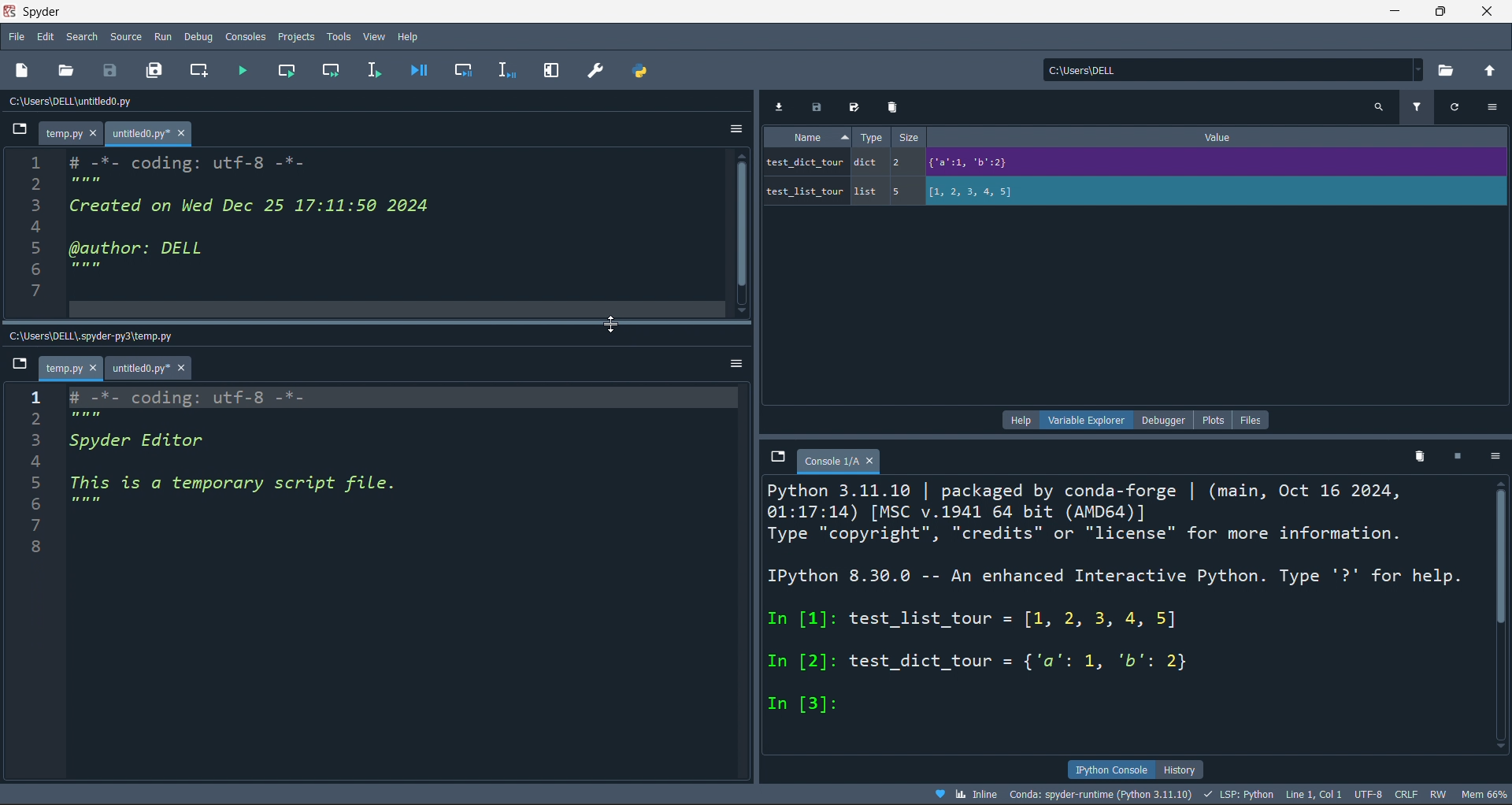 Image resolution: width=1512 pixels, height=805 pixels. I want to click on browse tabs, so click(19, 131).